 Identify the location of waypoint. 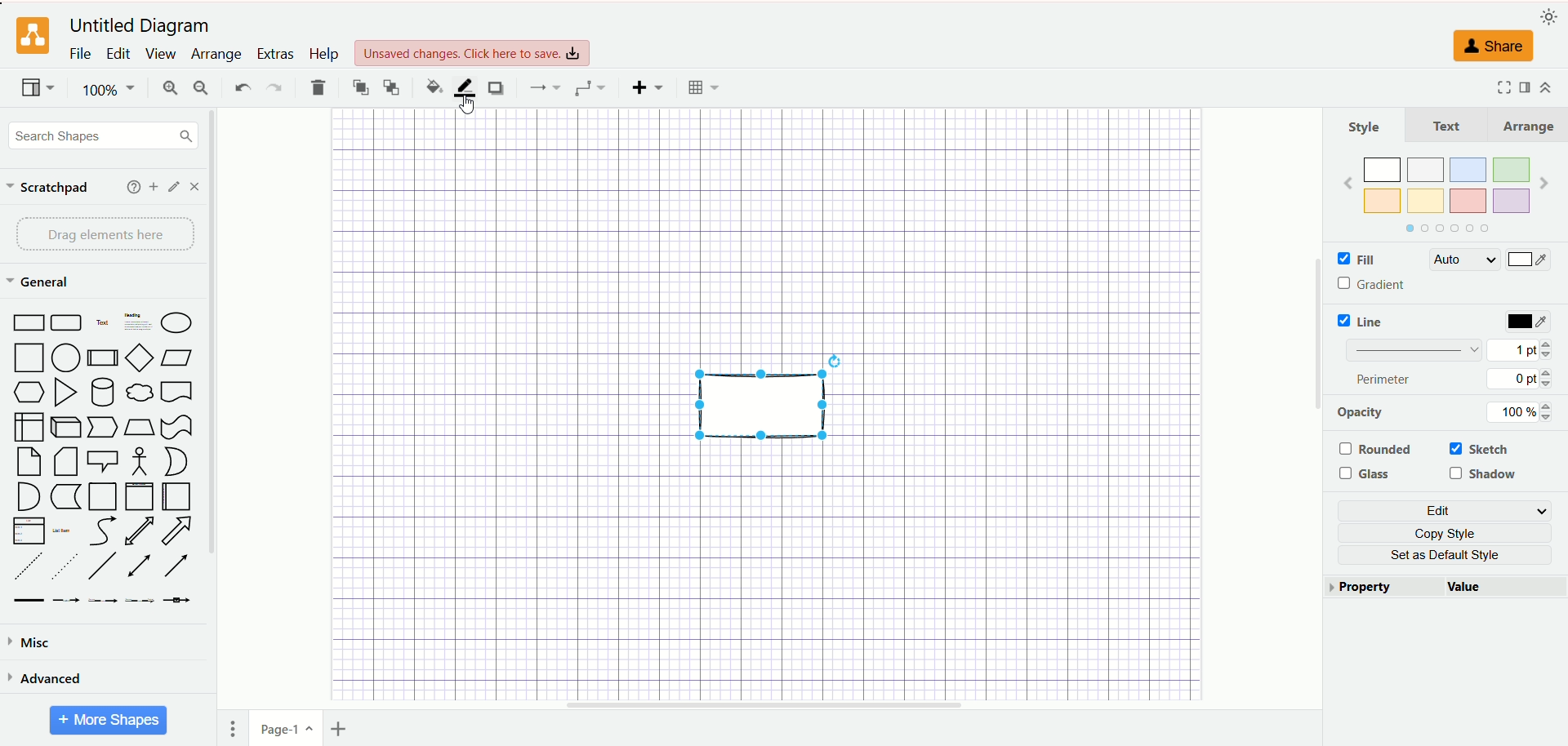
(589, 87).